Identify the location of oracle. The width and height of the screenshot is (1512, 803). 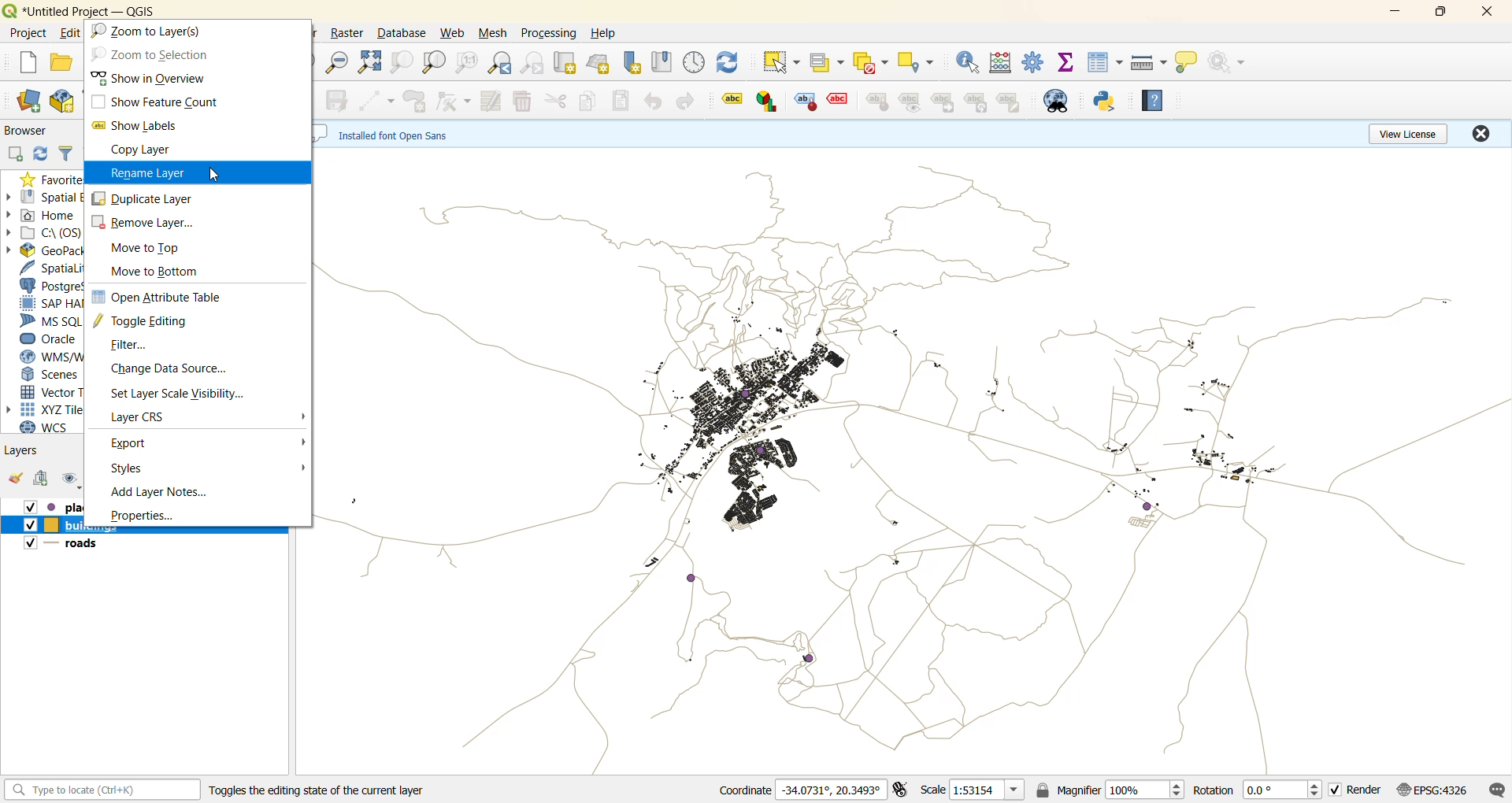
(46, 340).